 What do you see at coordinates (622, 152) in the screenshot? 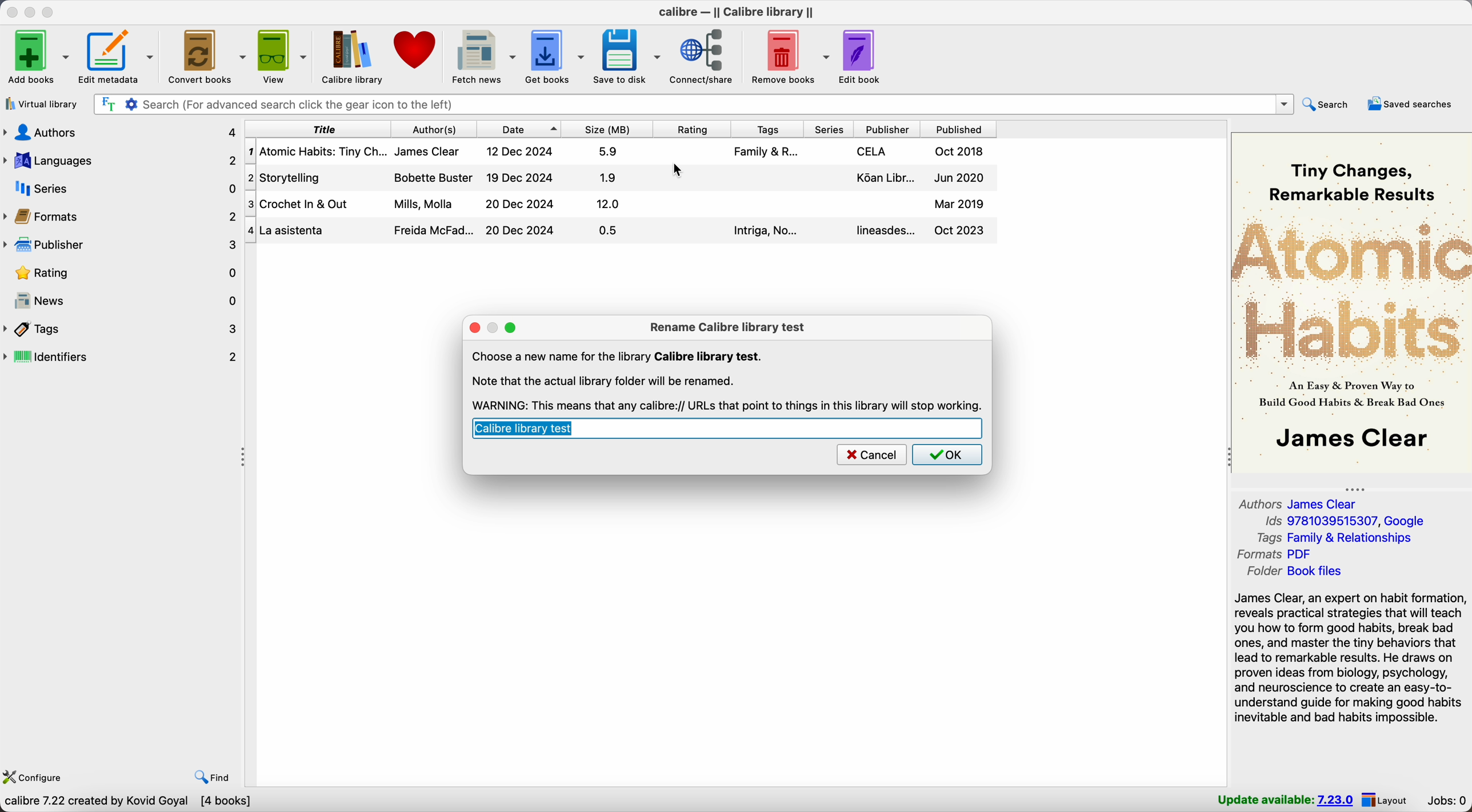
I see `Atomic Habitis: Tiny Changes... book` at bounding box center [622, 152].